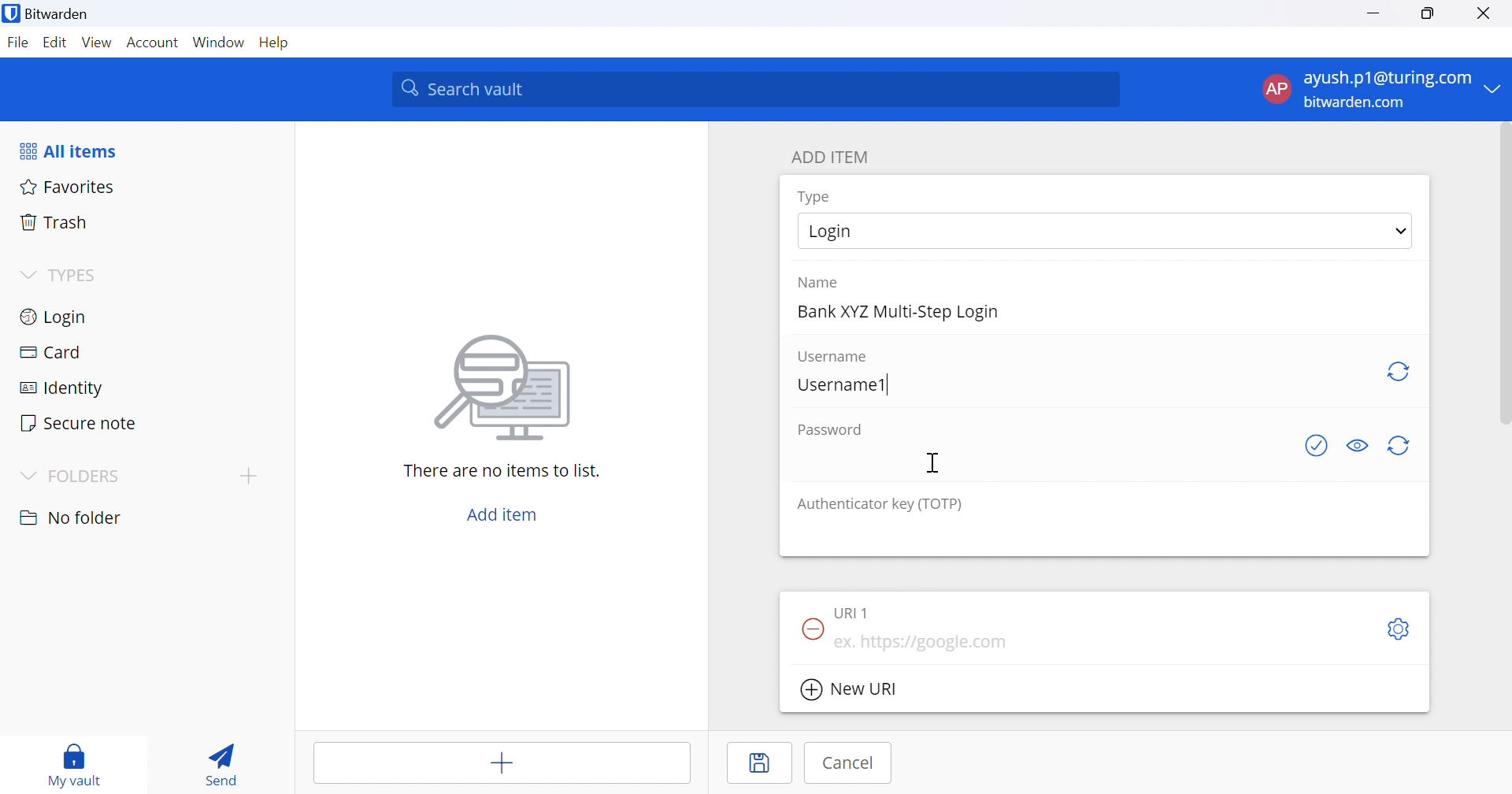 This screenshot has width=1512, height=794. Describe the element at coordinates (1402, 445) in the screenshot. I see `Regenerate Password` at that location.